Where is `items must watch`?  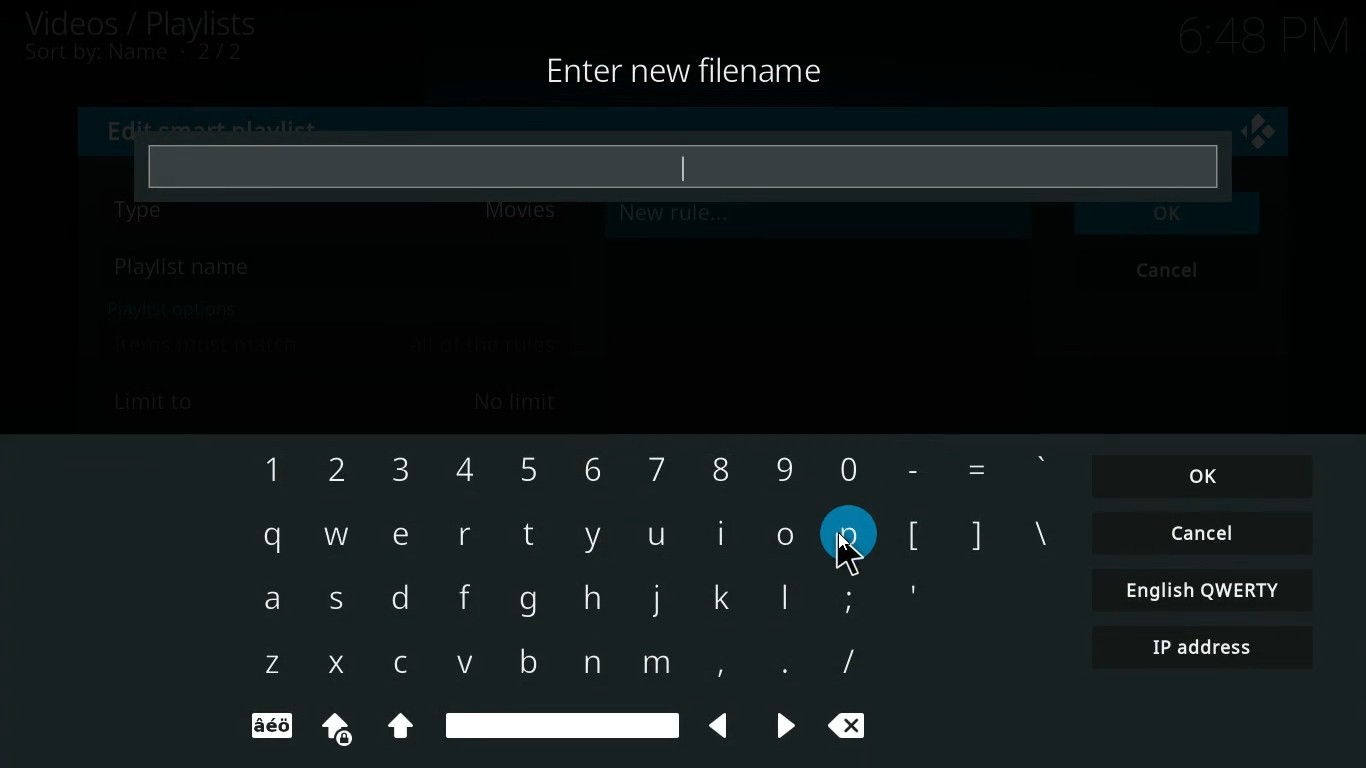 items must watch is located at coordinates (335, 345).